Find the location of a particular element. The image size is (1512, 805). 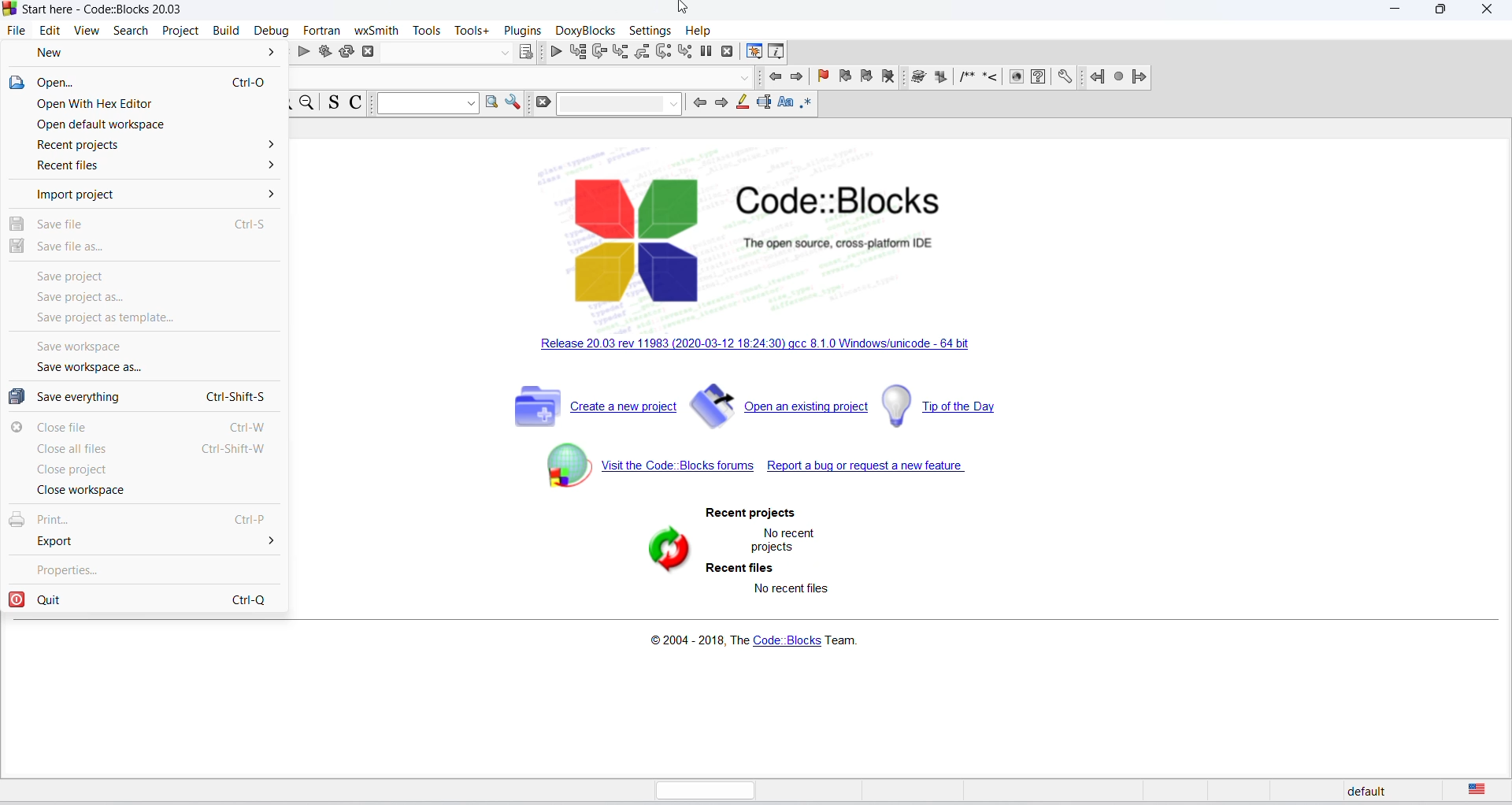

DoxyBlocks is located at coordinates (584, 29).